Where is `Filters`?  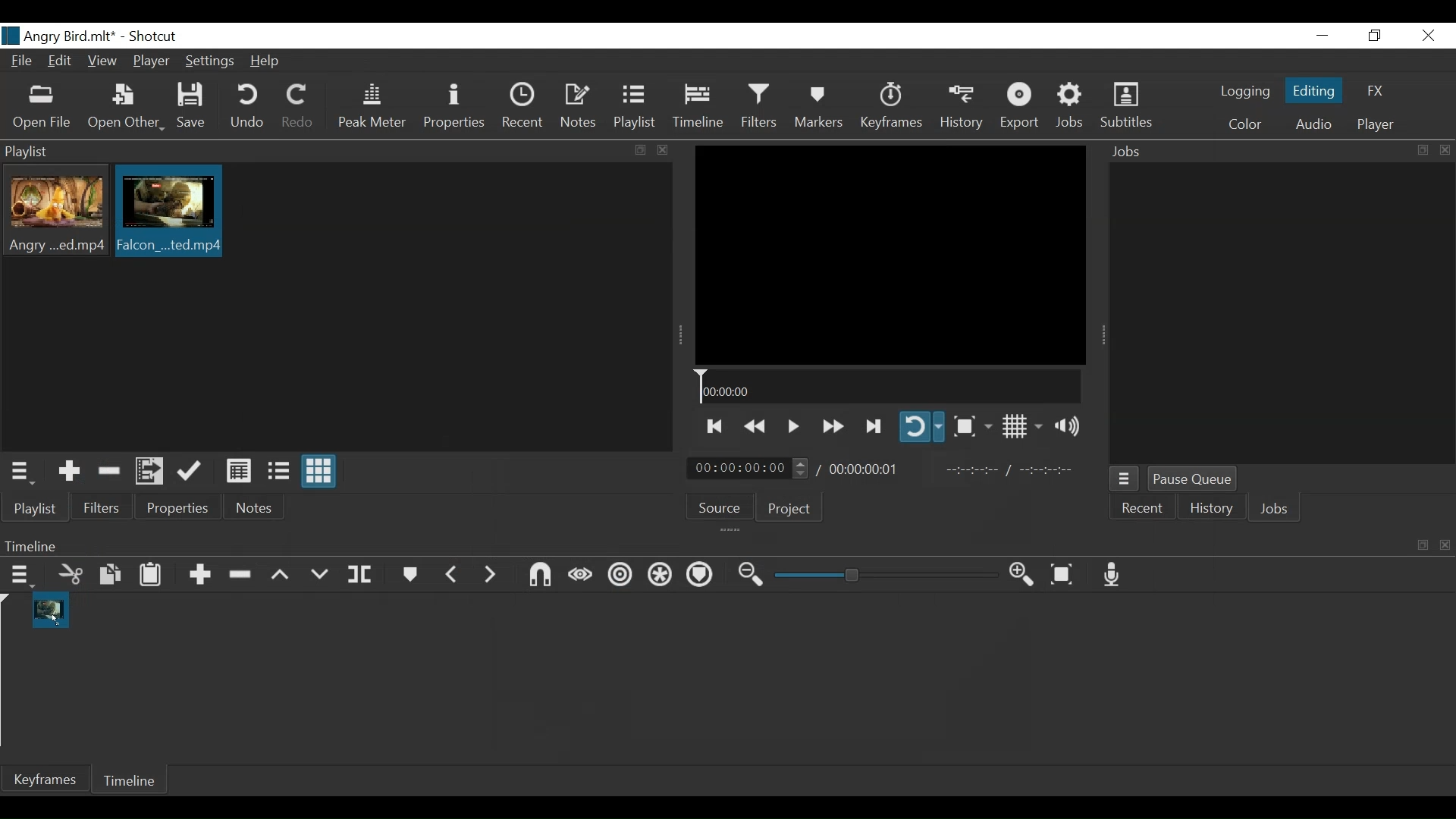
Filters is located at coordinates (99, 507).